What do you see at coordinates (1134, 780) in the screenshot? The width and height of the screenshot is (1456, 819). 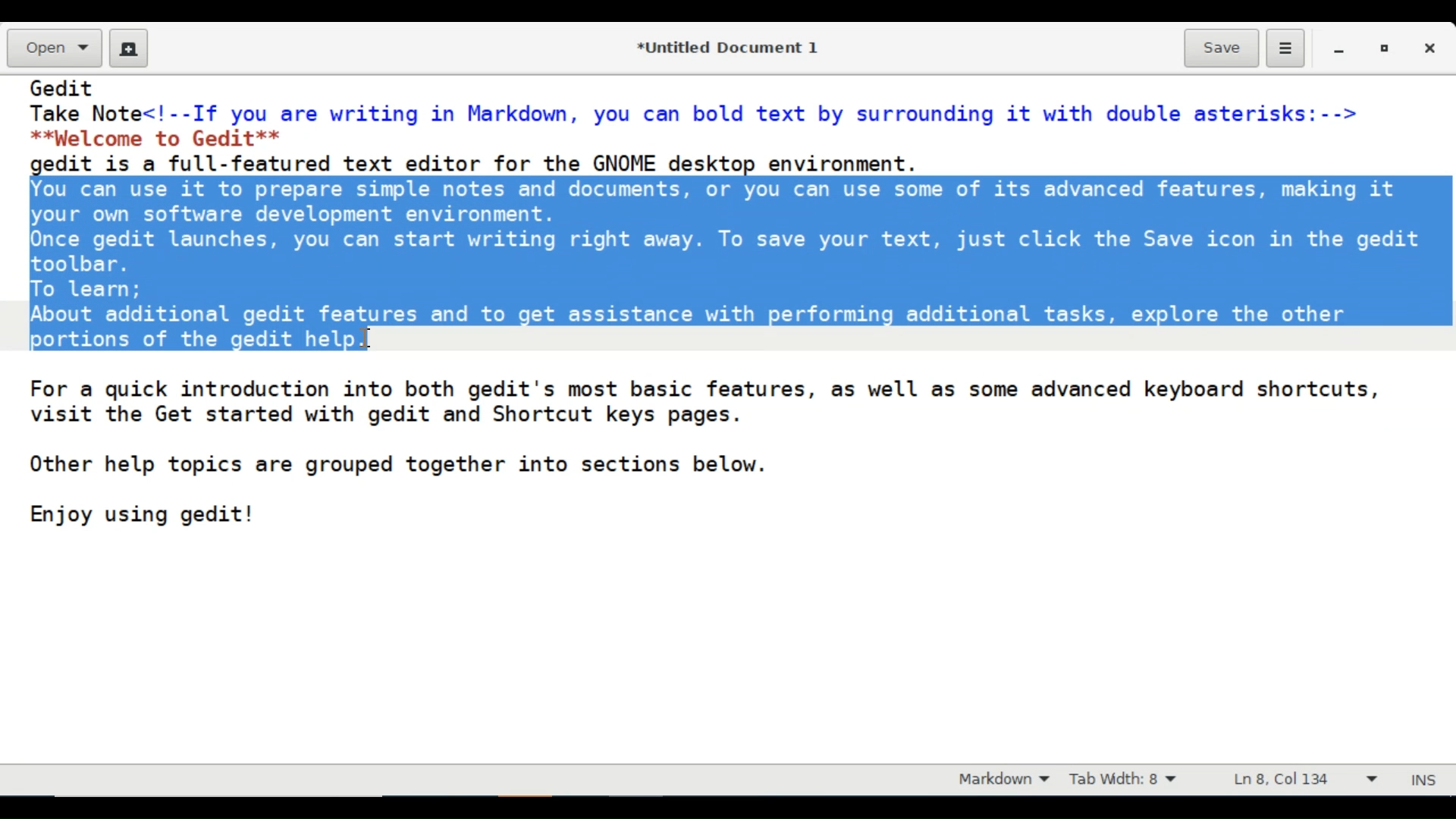 I see `Tab Width` at bounding box center [1134, 780].